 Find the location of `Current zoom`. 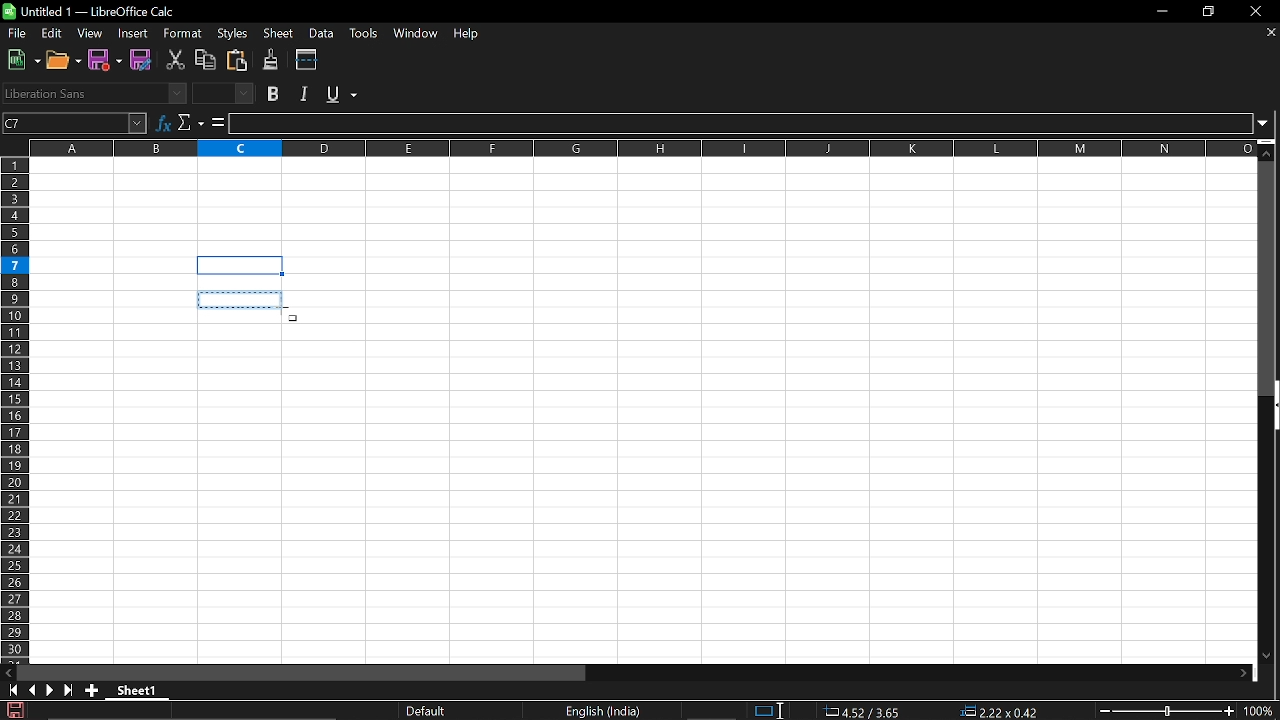

Current zoom is located at coordinates (1262, 711).